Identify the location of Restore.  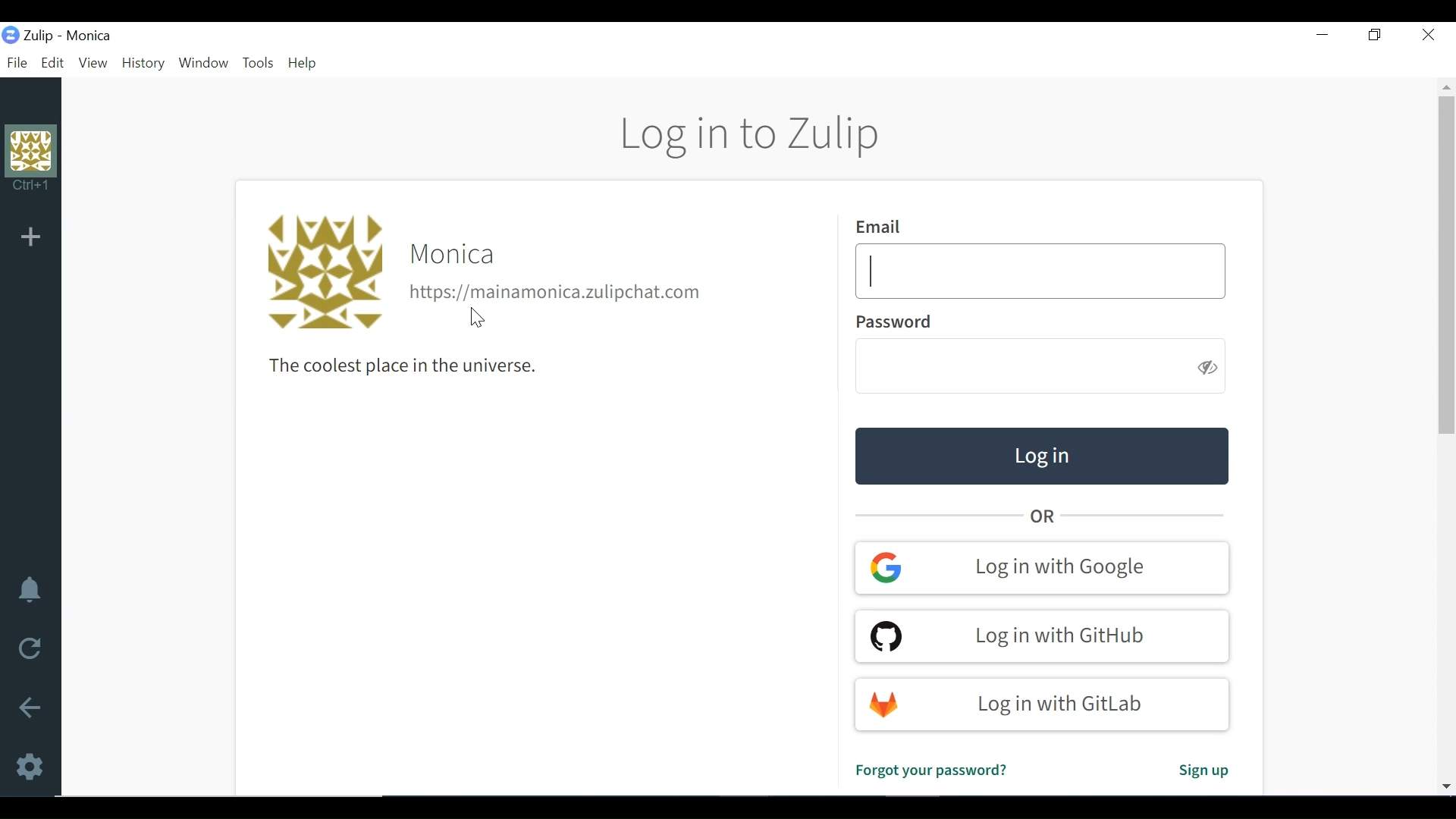
(1373, 34).